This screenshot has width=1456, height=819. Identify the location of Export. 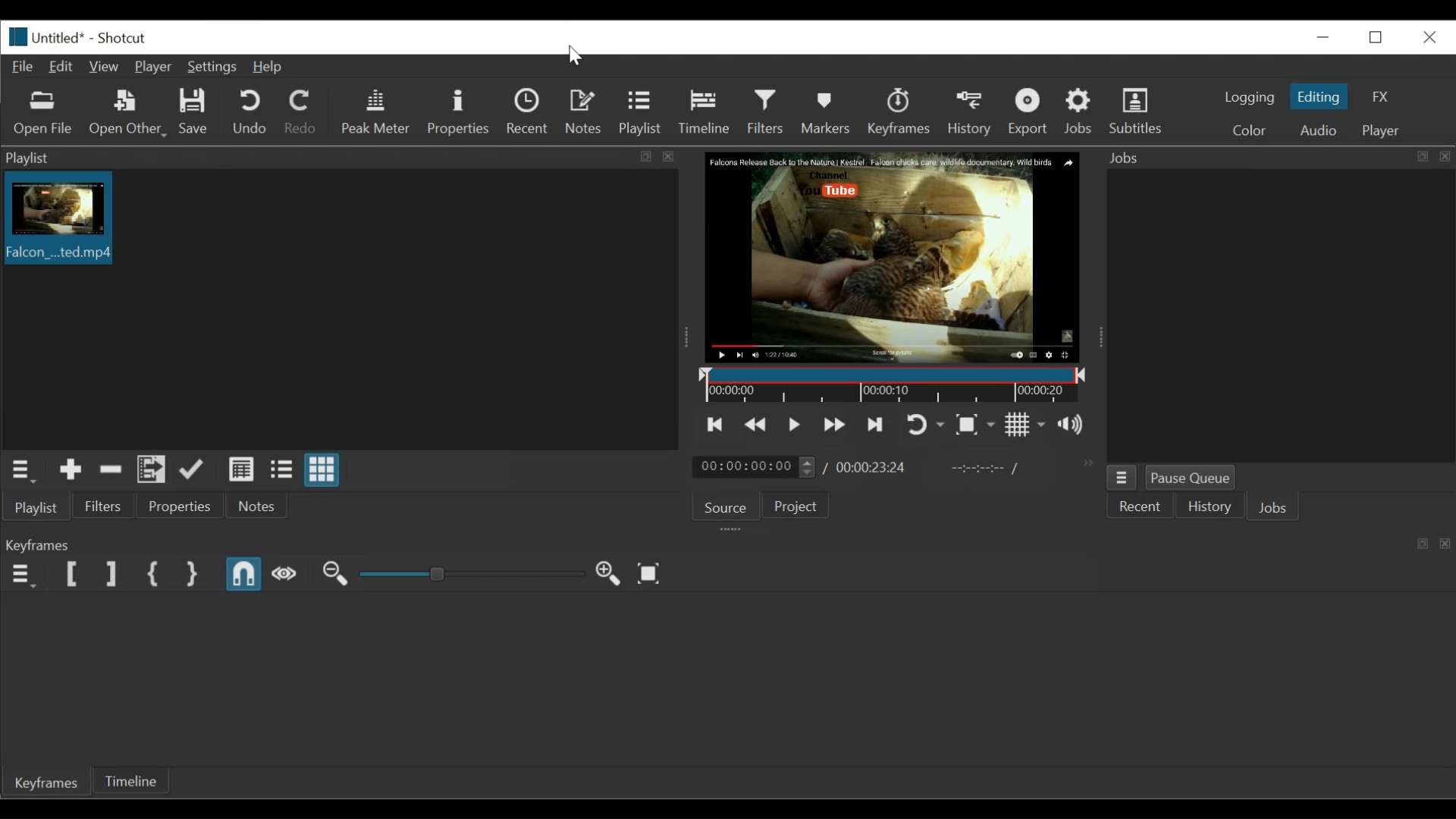
(1030, 113).